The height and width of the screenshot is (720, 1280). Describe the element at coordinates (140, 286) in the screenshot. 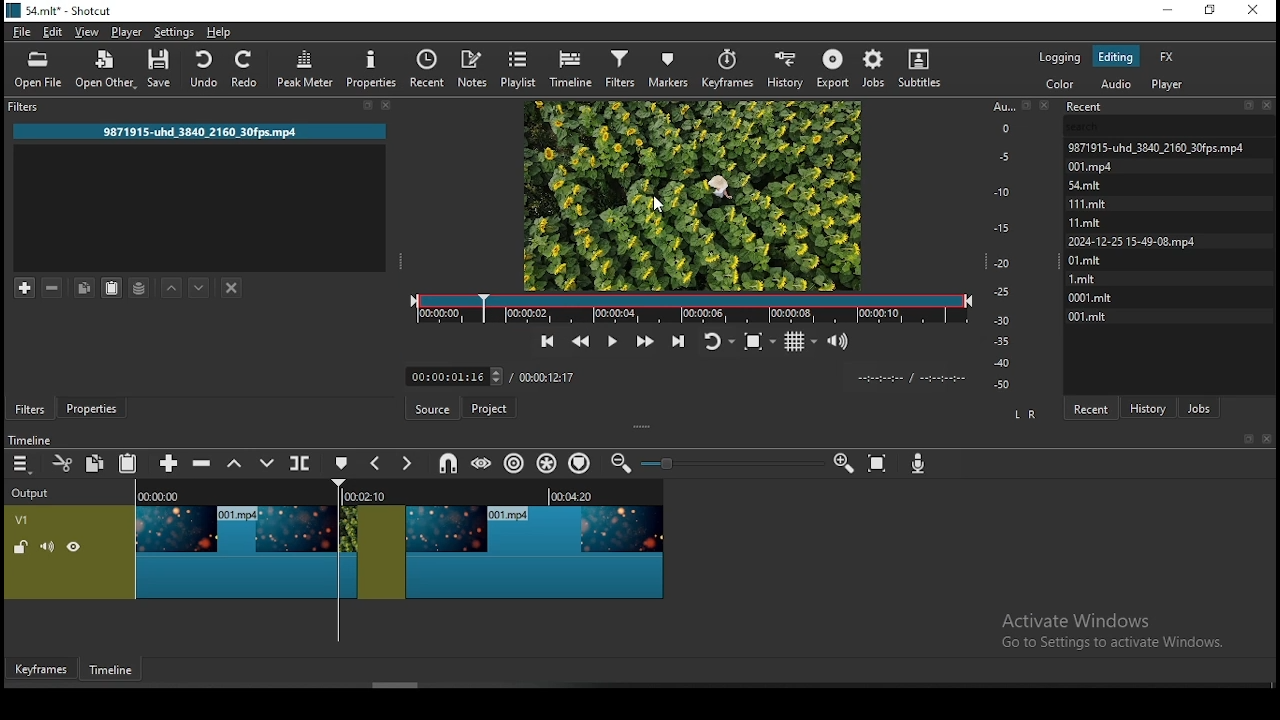

I see `save filter set` at that location.